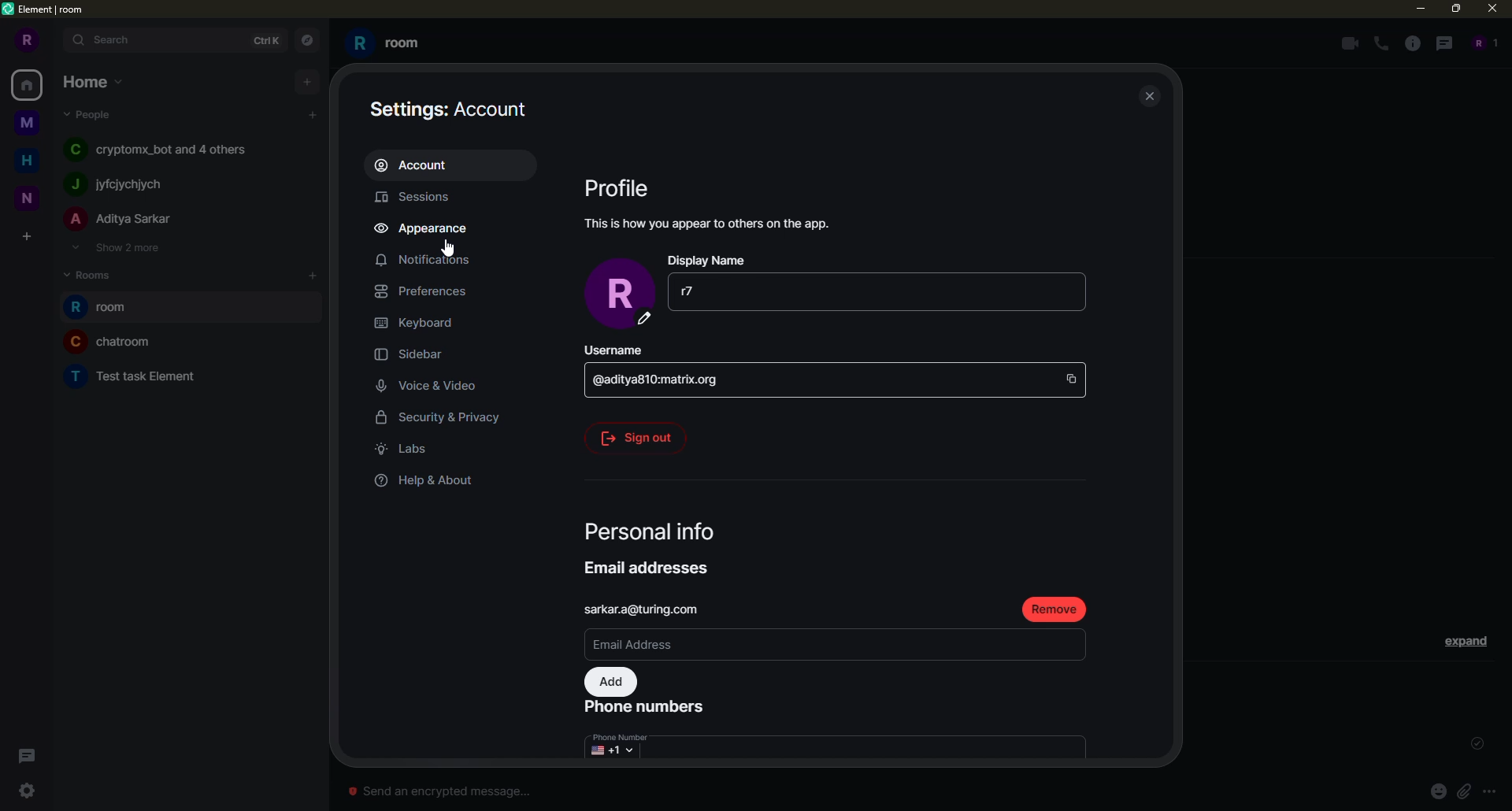 This screenshot has width=1512, height=811. I want to click on account, so click(416, 164).